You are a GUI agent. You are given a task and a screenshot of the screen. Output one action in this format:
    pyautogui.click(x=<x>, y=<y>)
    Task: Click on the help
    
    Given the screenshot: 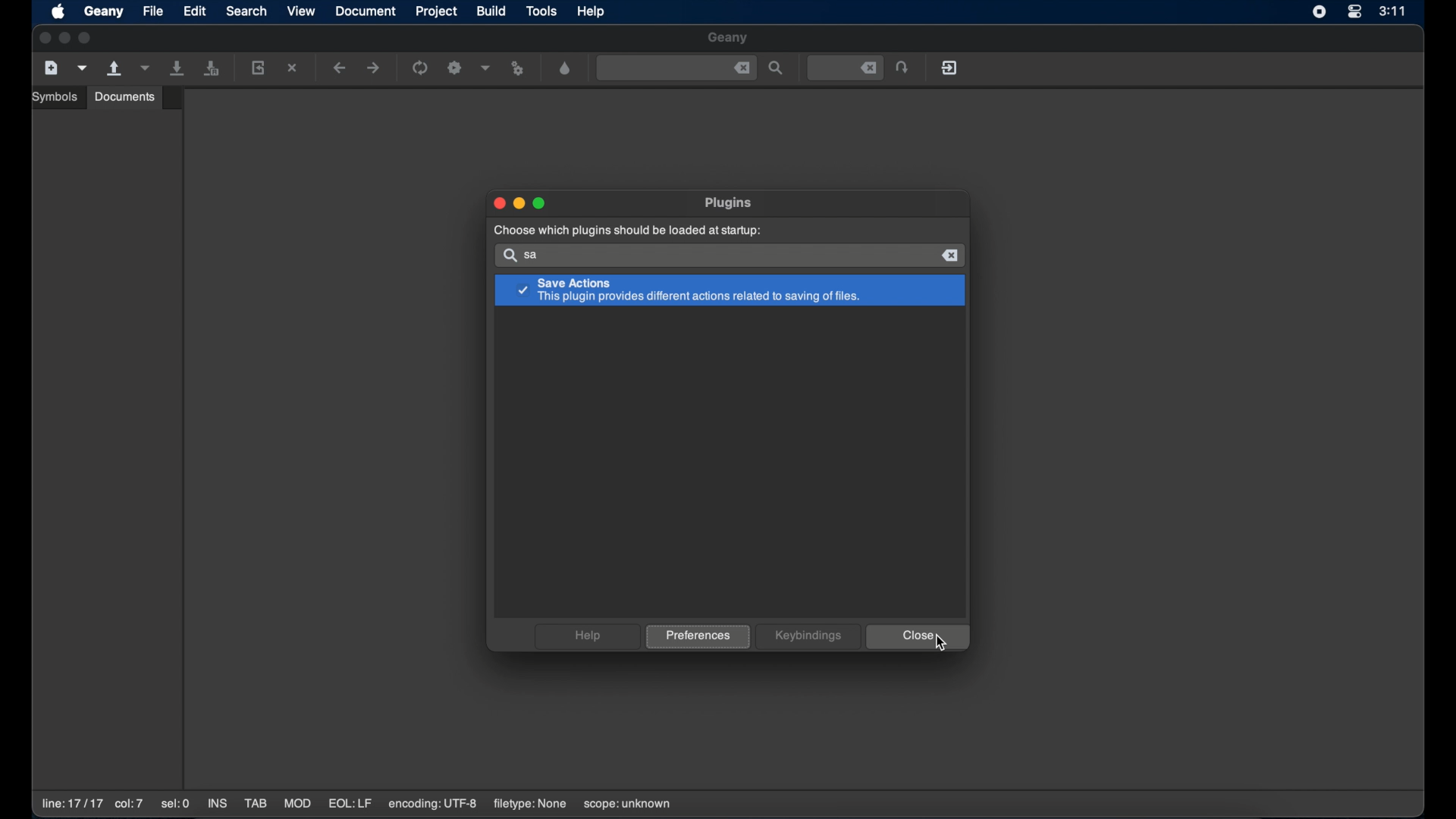 What is the action you would take?
    pyautogui.click(x=586, y=636)
    